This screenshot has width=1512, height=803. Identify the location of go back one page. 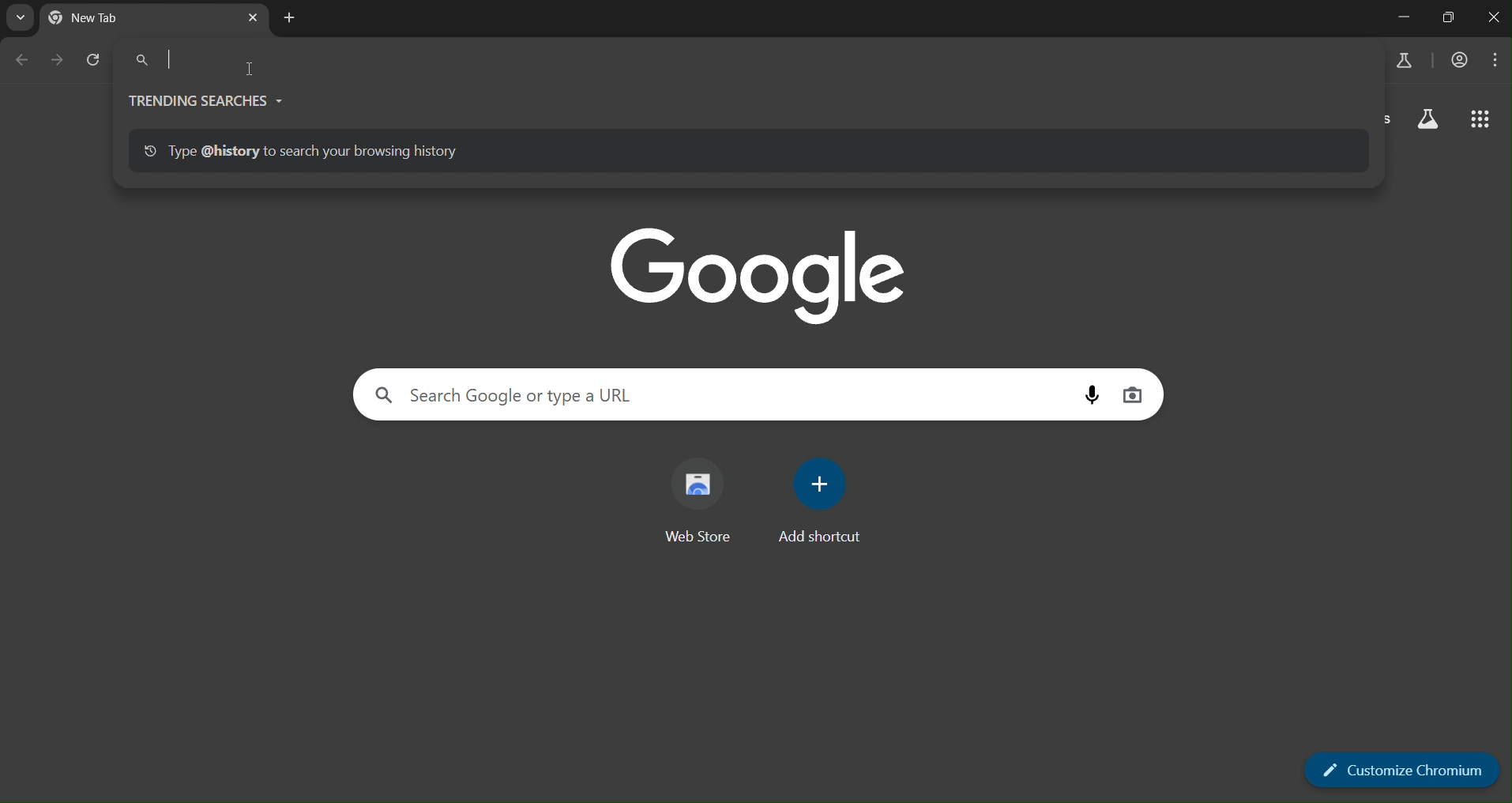
(23, 62).